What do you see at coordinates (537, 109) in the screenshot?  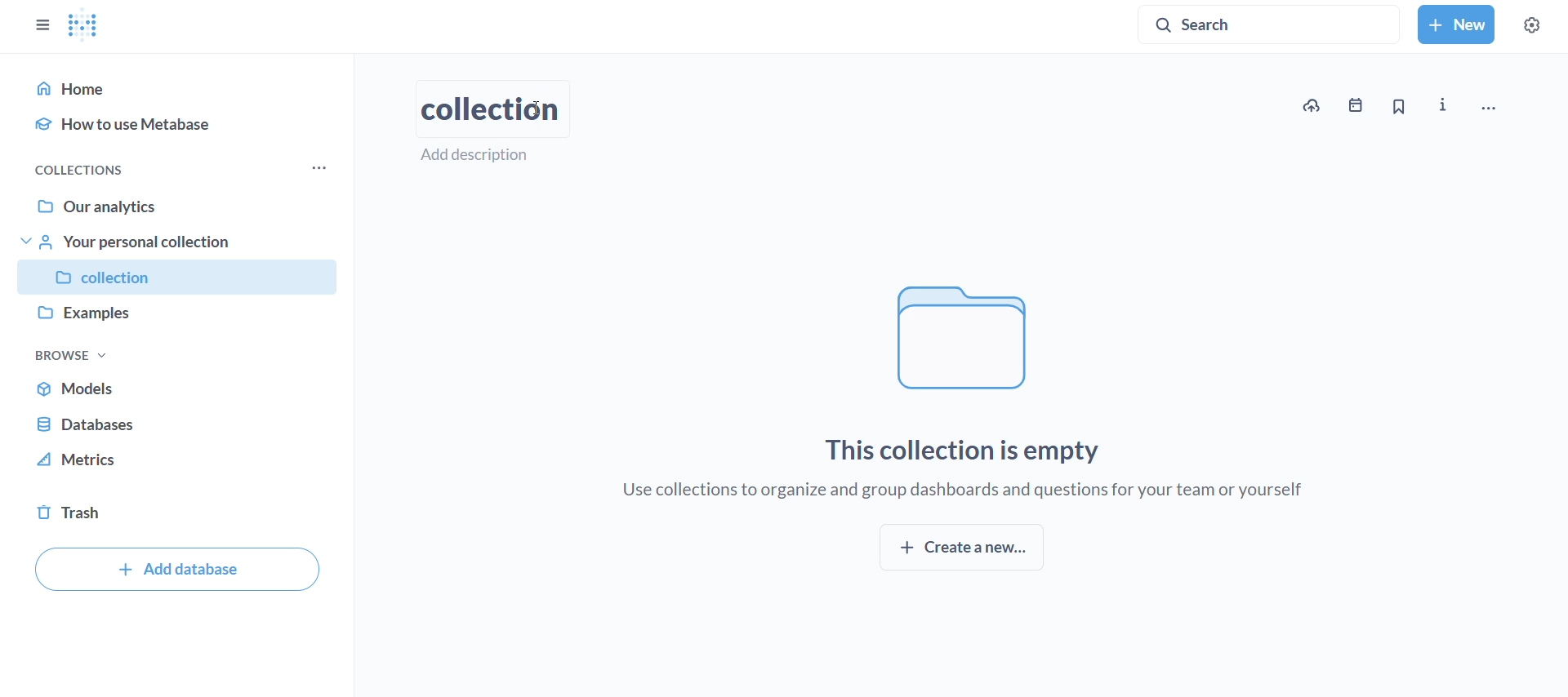 I see `cursor` at bounding box center [537, 109].